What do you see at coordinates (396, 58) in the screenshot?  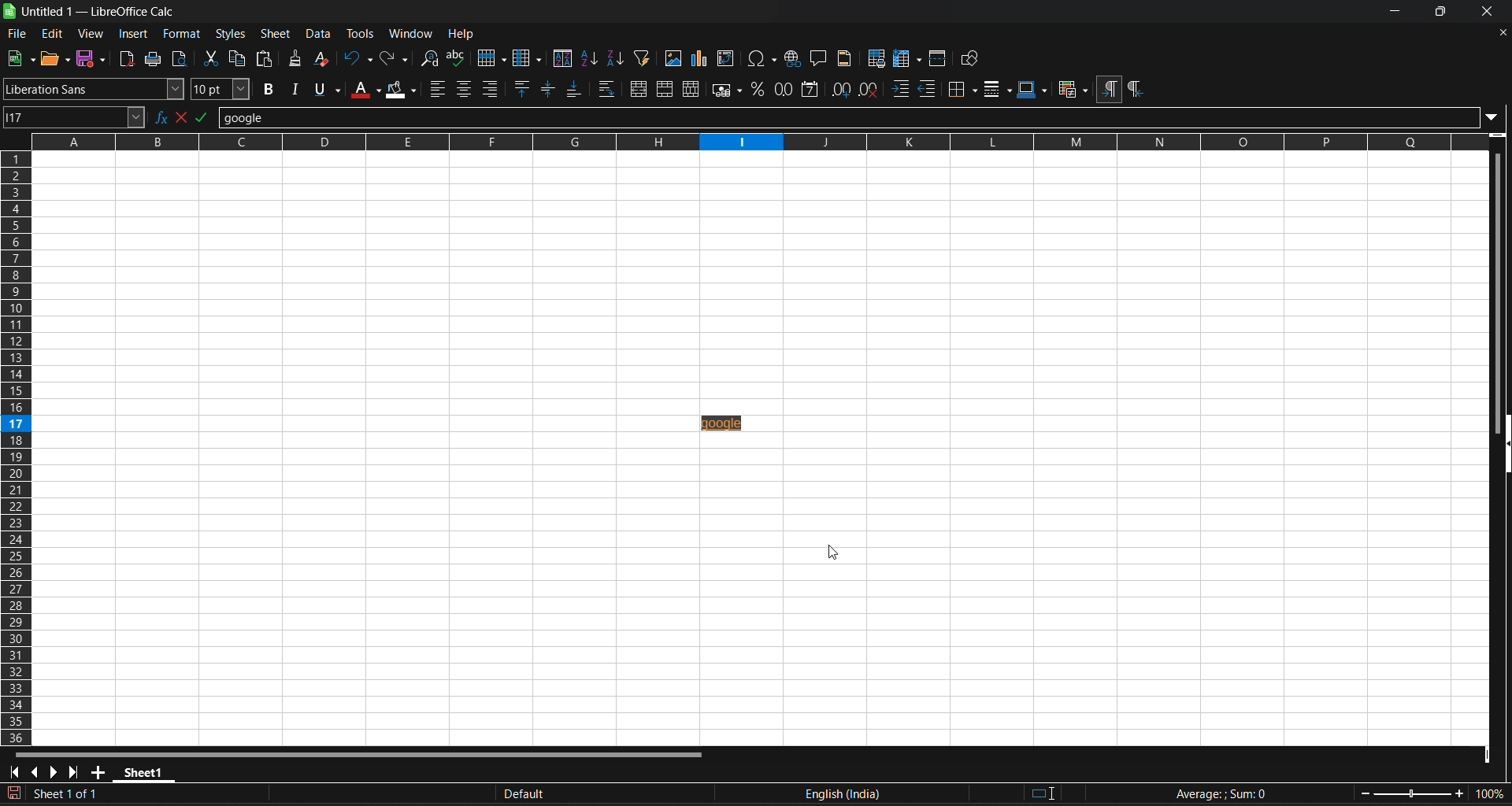 I see `redo` at bounding box center [396, 58].